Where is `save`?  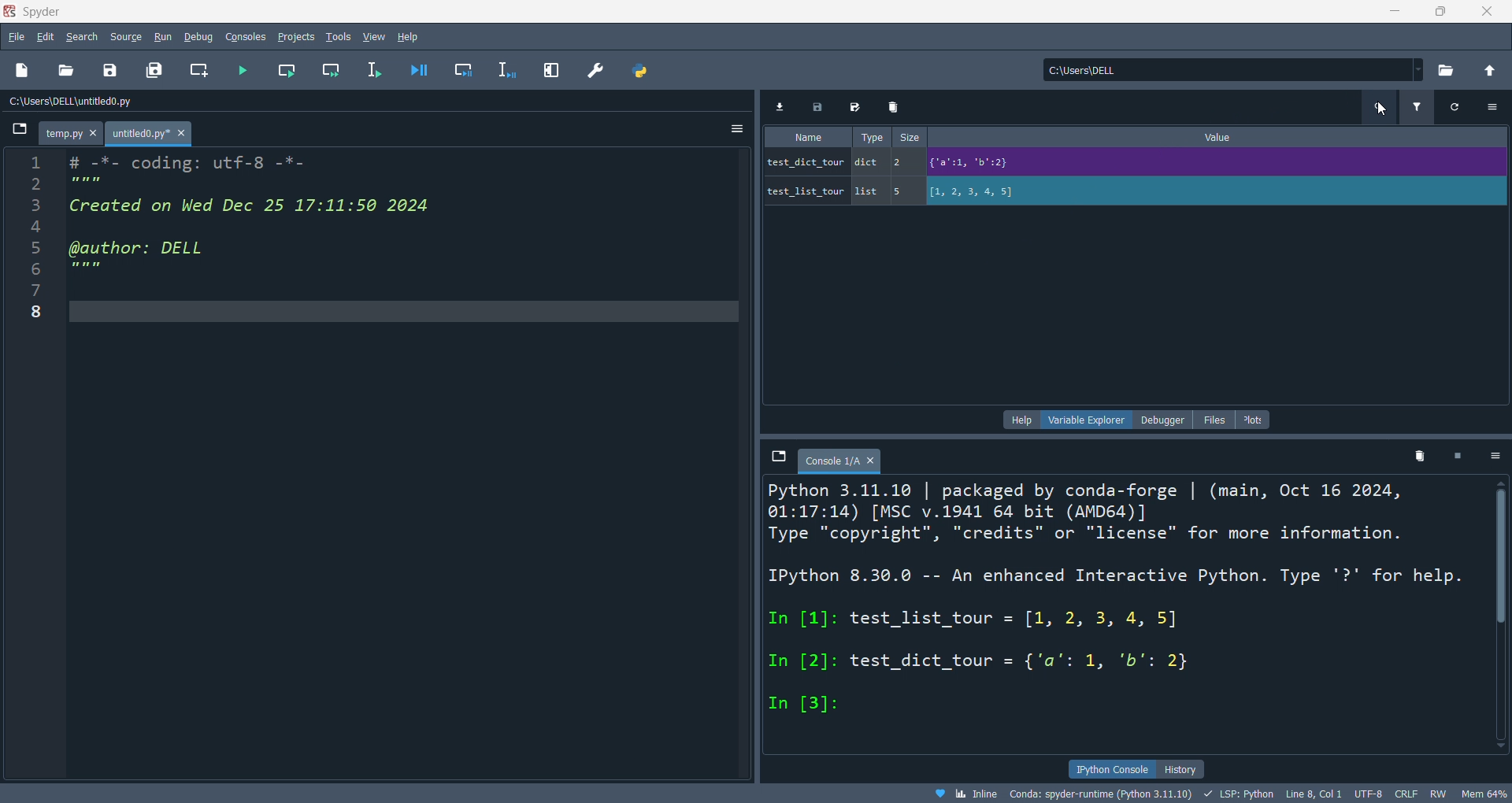
save is located at coordinates (104, 71).